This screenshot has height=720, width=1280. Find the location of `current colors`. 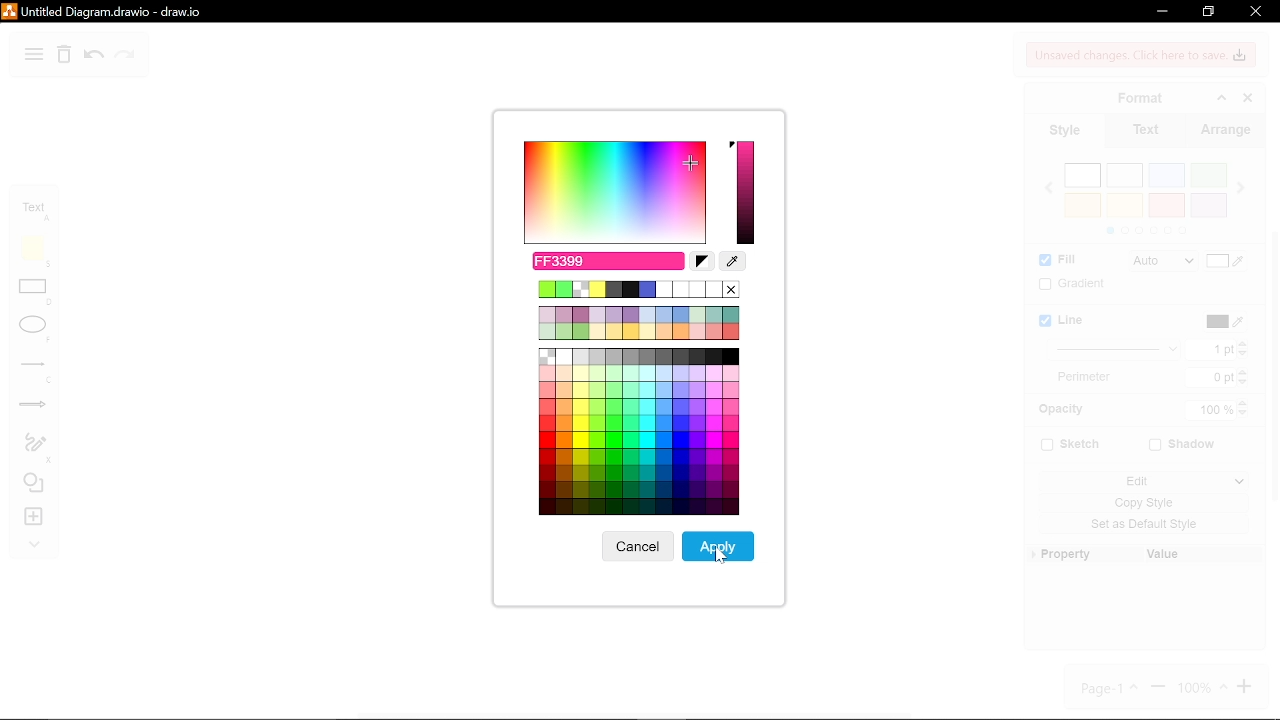

current colors is located at coordinates (639, 289).